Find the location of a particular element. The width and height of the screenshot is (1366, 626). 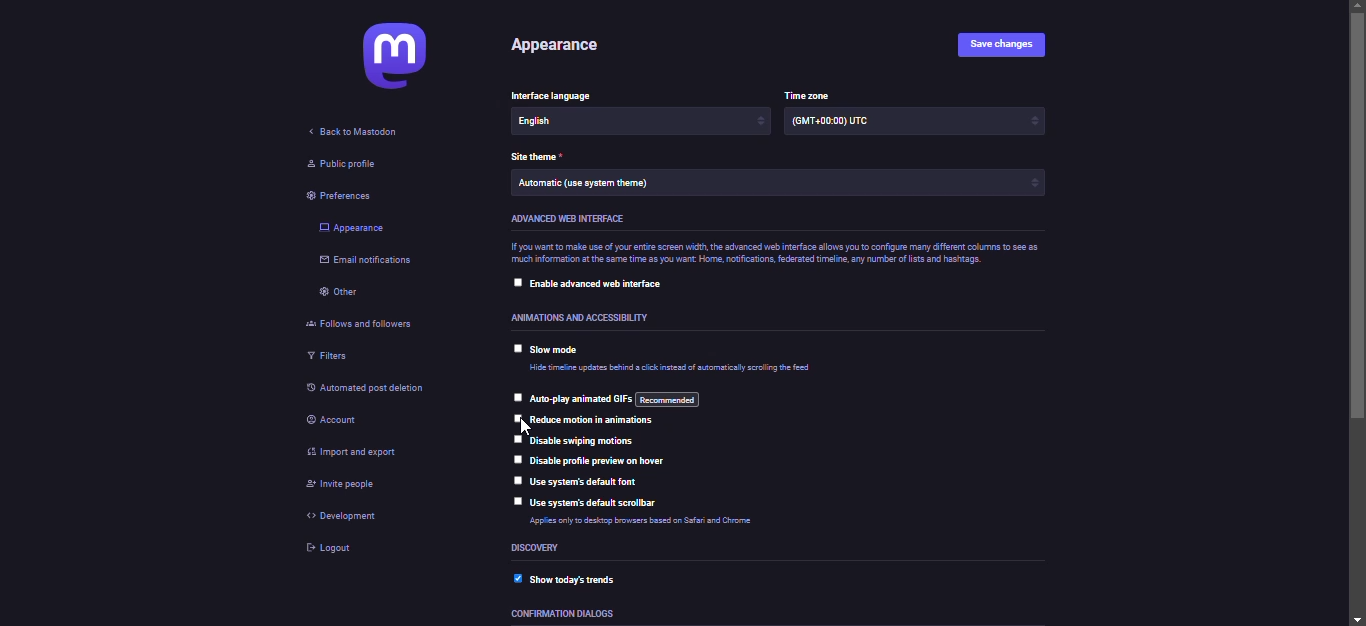

disable swiping motions is located at coordinates (581, 440).